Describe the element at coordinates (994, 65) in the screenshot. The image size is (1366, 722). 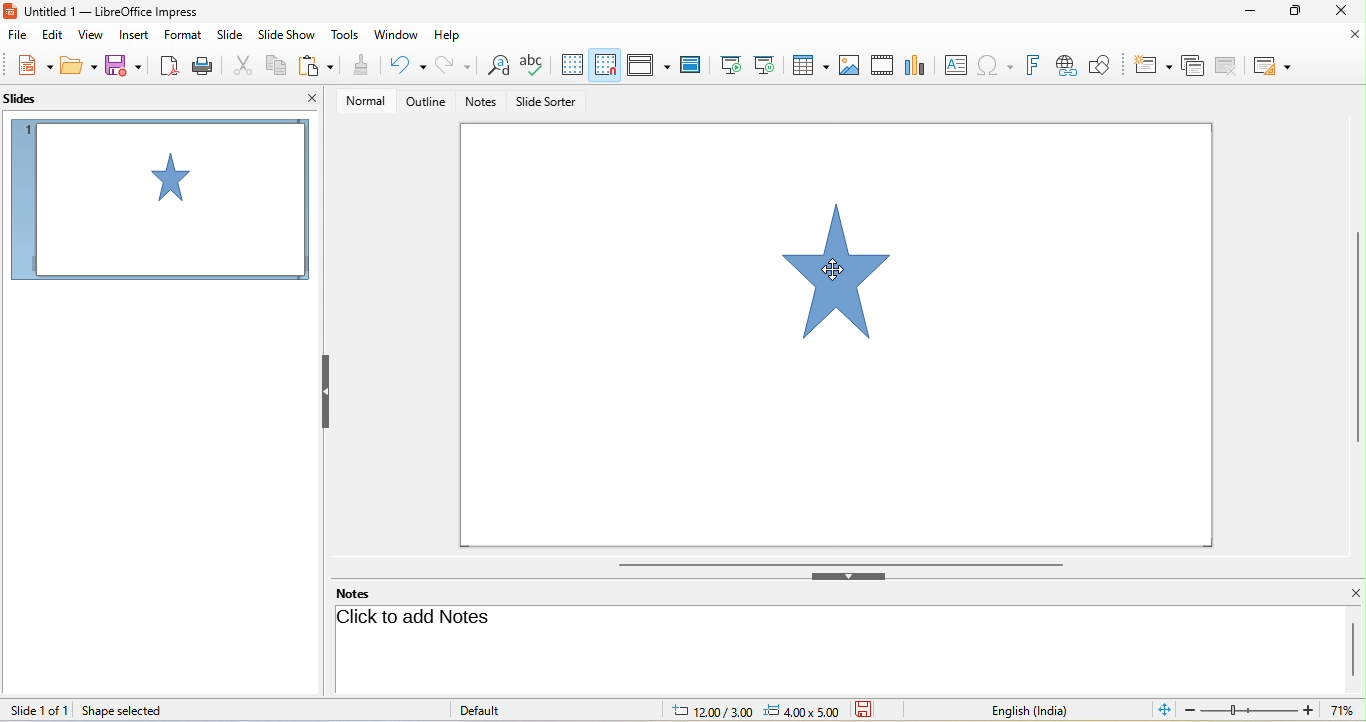
I see `special character` at that location.